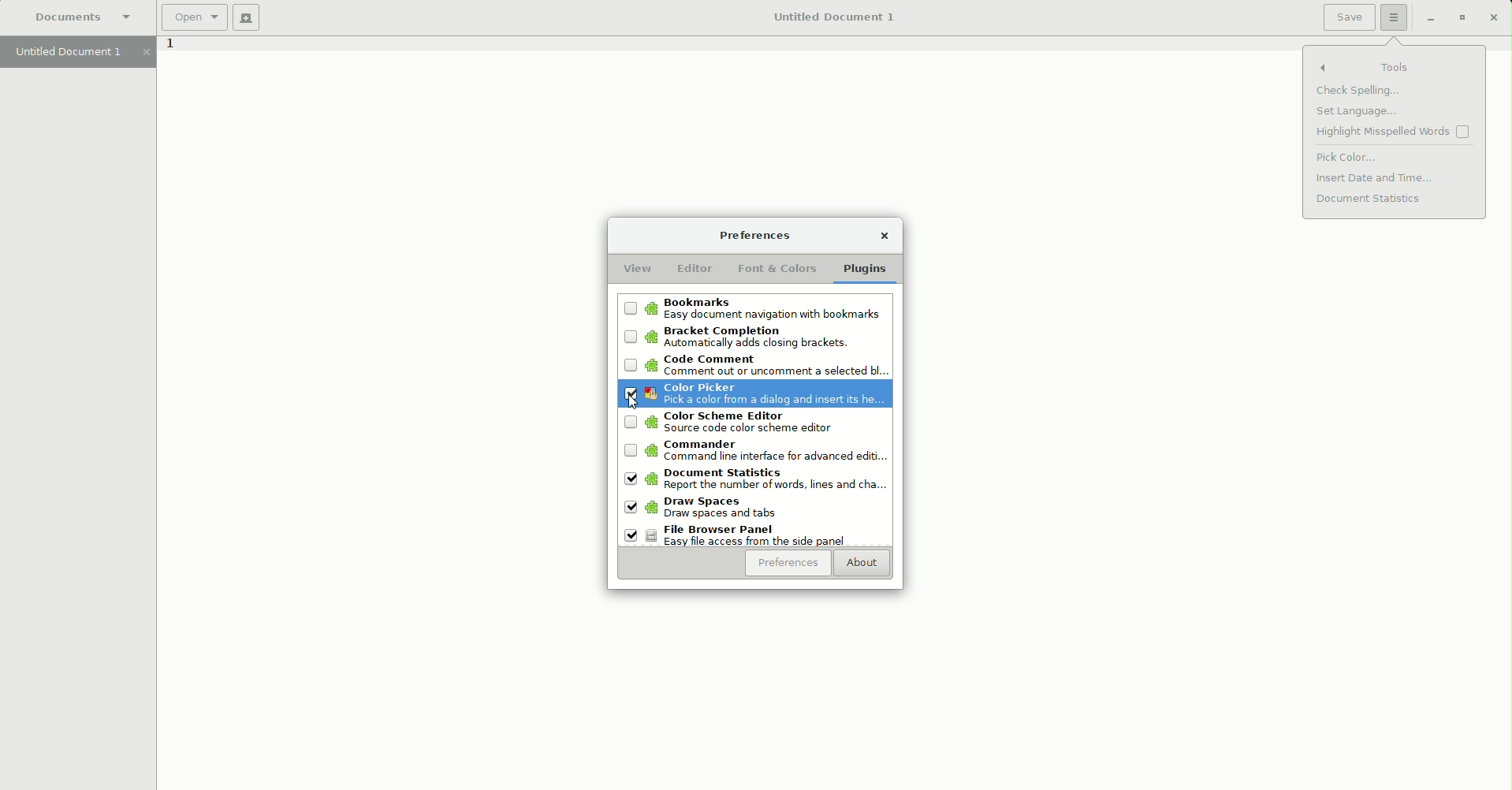 The image size is (1512, 790). I want to click on Insert date and time, so click(1376, 180).